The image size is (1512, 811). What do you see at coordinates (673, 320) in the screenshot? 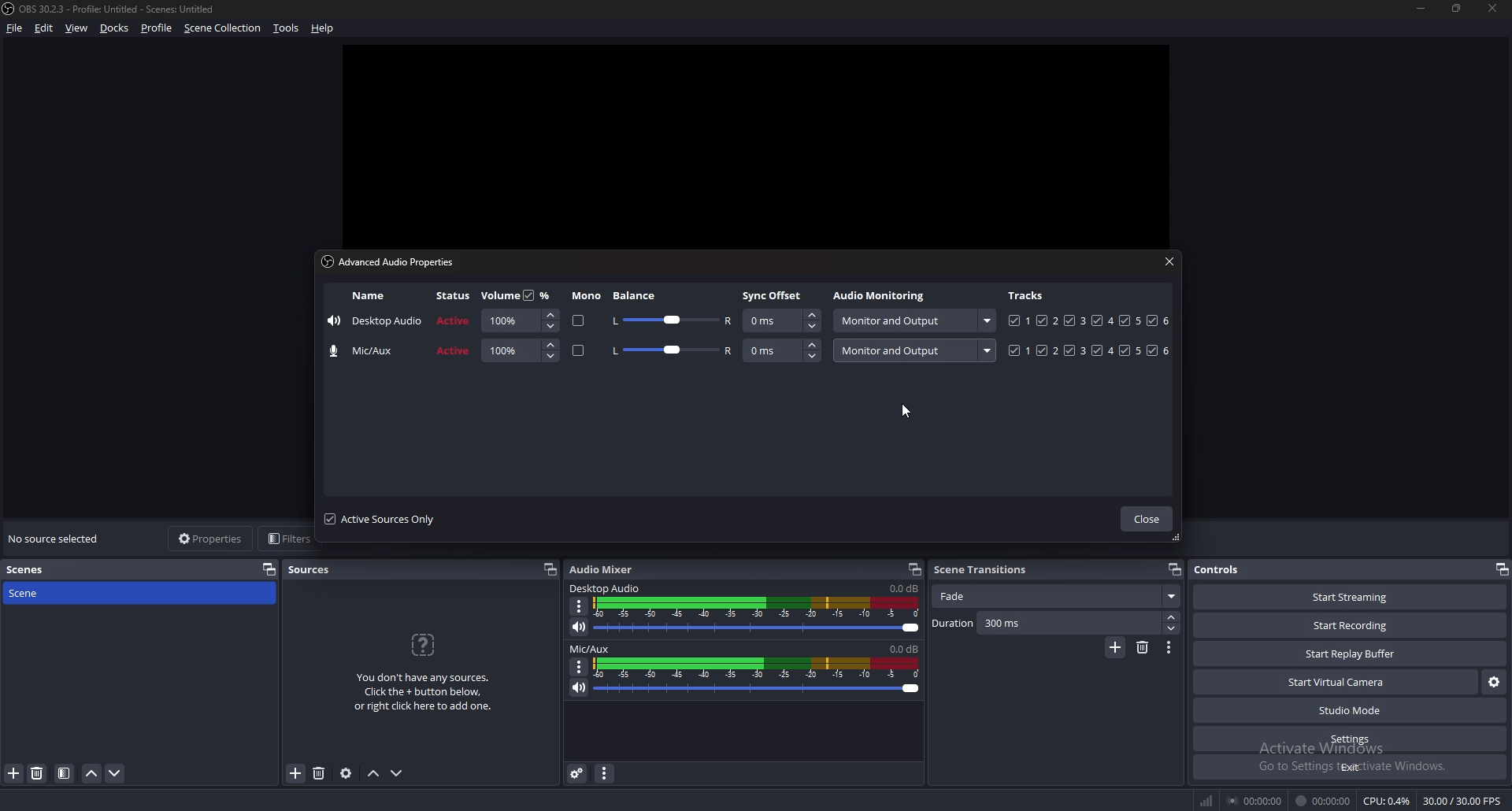
I see `balance adjust` at bounding box center [673, 320].